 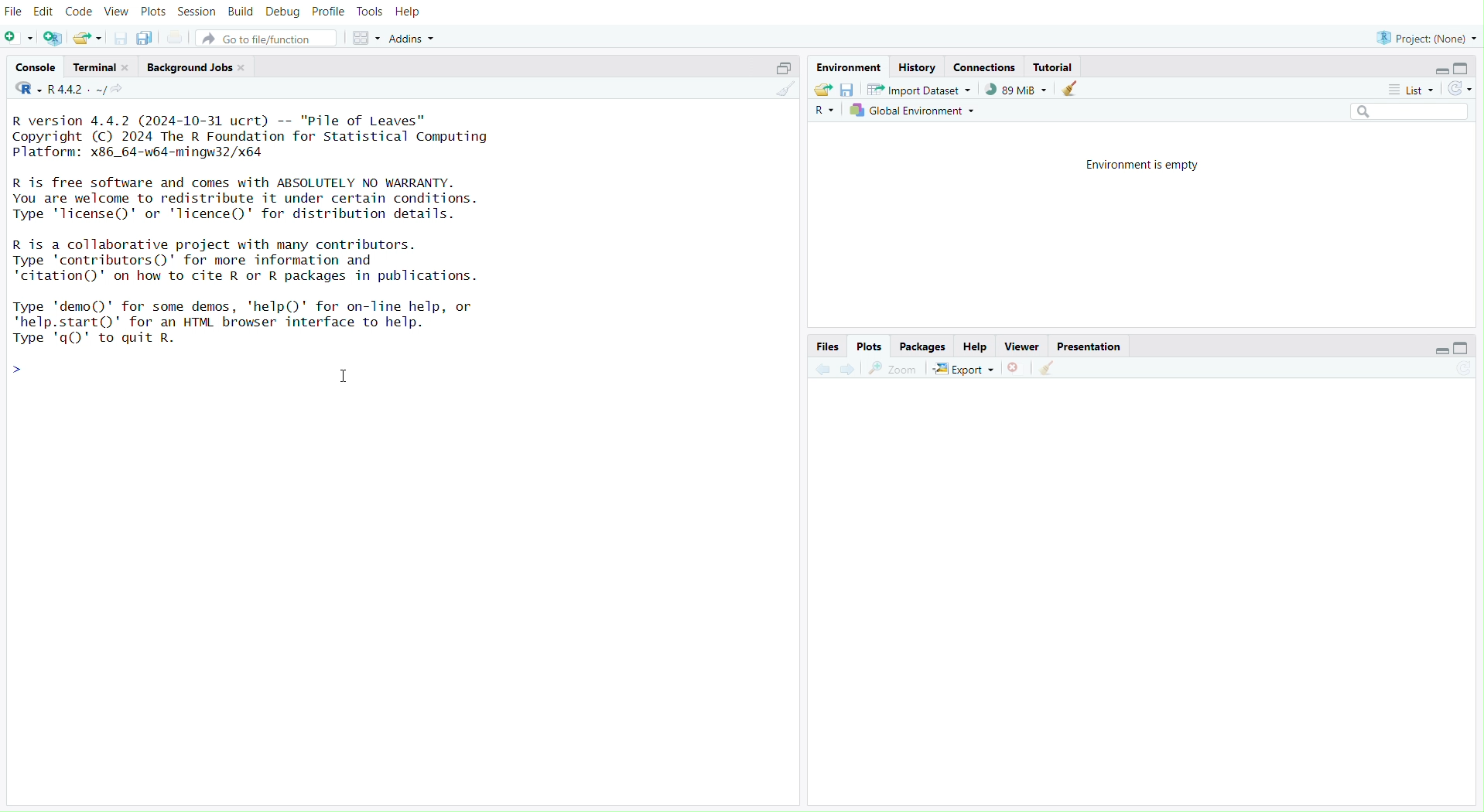 I want to click on View the current working directory, so click(x=133, y=90).